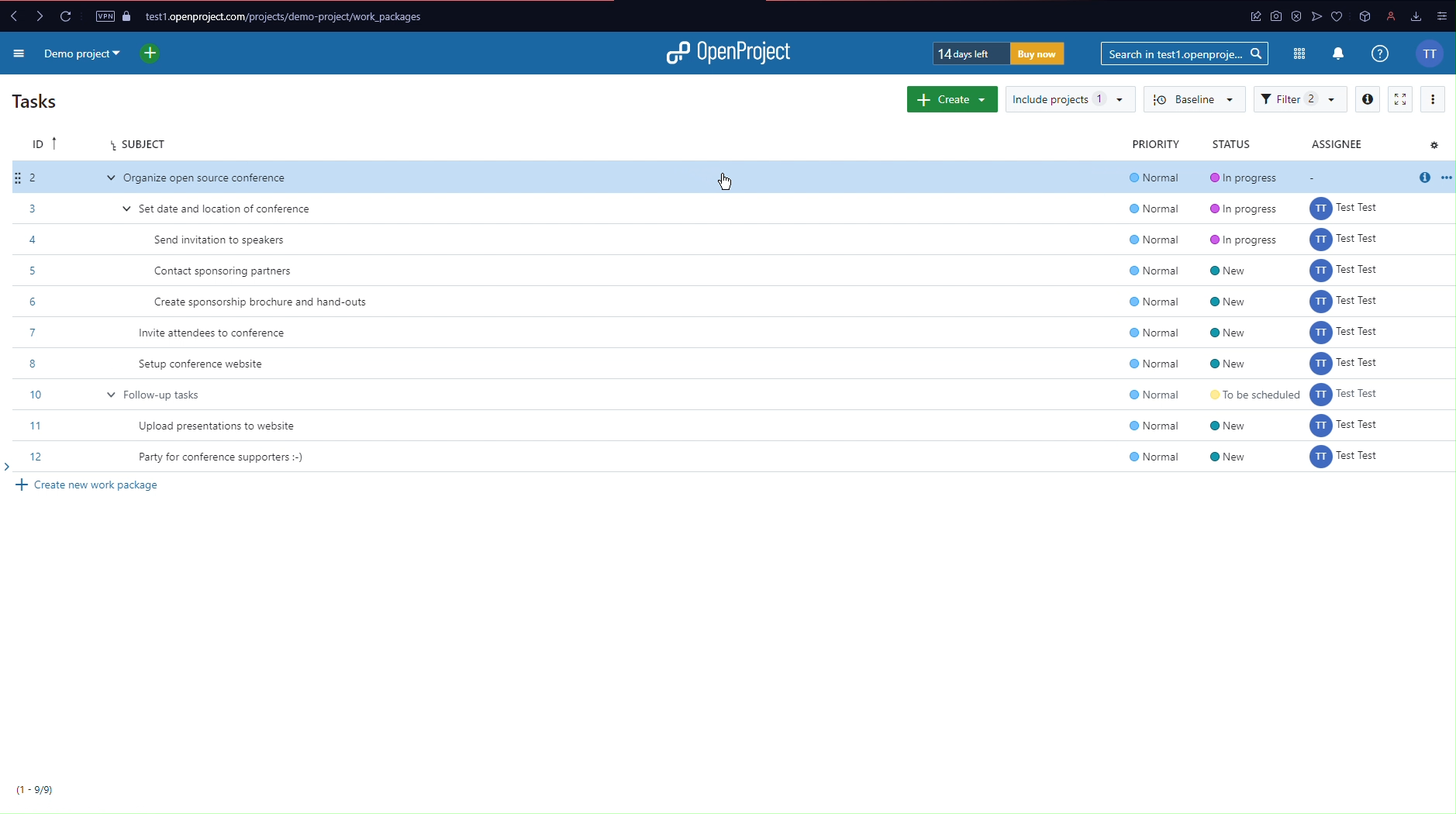  Describe the element at coordinates (1436, 145) in the screenshot. I see `Settings` at that location.